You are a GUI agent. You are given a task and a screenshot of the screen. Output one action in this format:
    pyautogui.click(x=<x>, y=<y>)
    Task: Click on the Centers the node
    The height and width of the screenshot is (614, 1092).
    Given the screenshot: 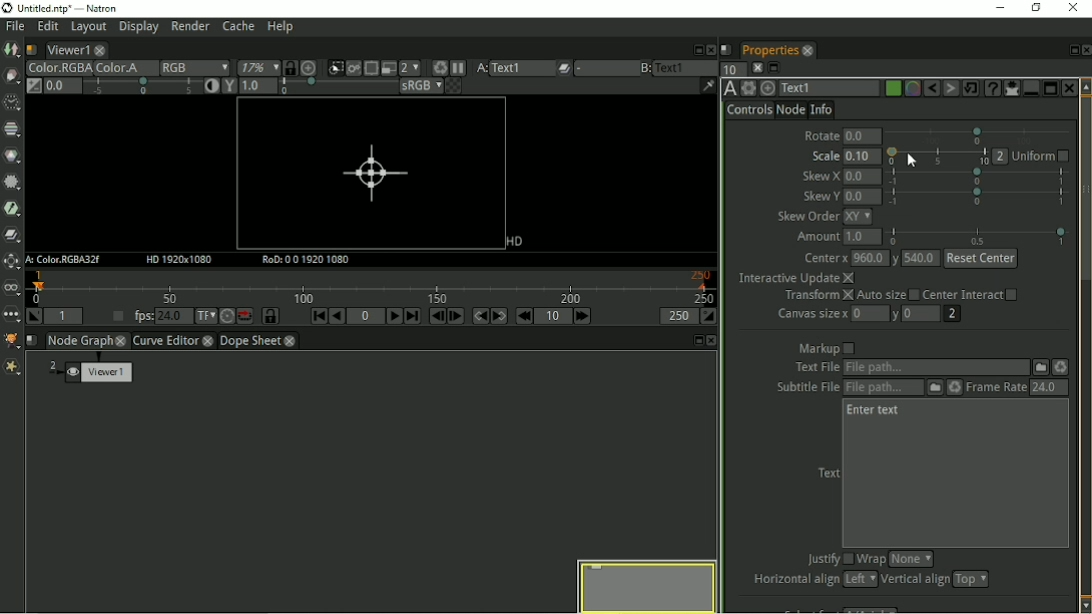 What is the action you would take?
    pyautogui.click(x=767, y=88)
    